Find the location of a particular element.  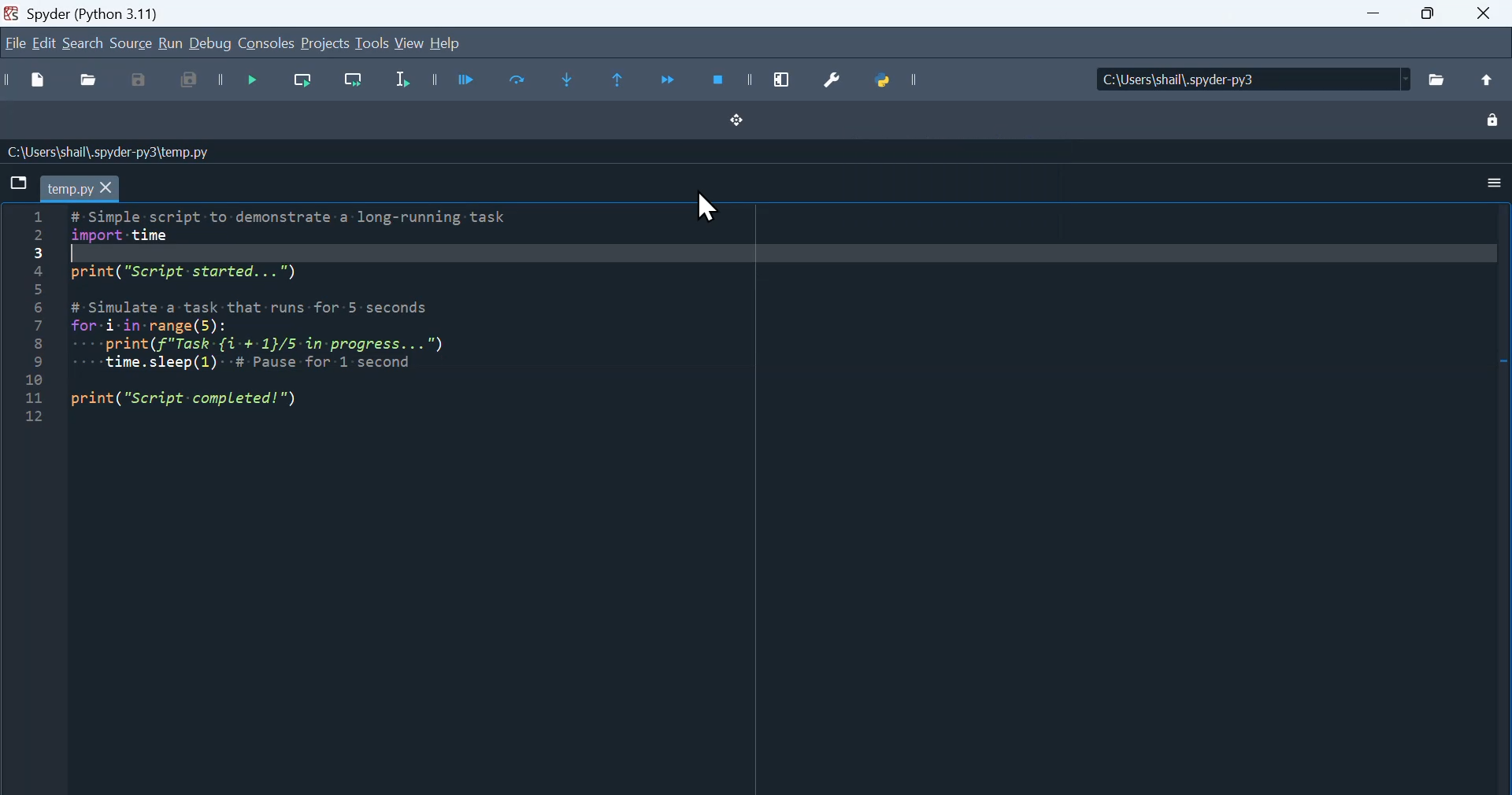

continue execution until same function returns is located at coordinates (624, 82).